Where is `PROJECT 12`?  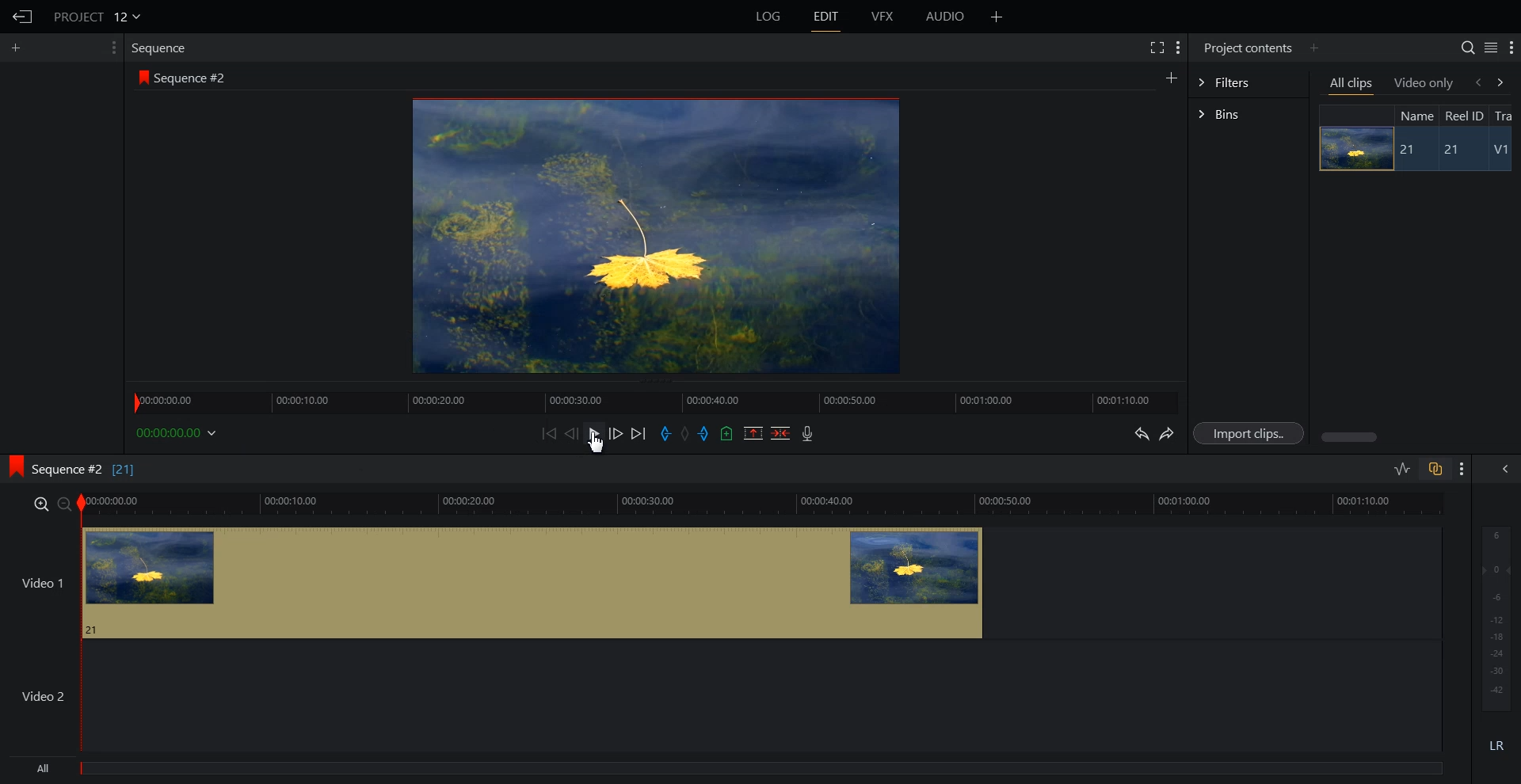 PROJECT 12 is located at coordinates (97, 16).